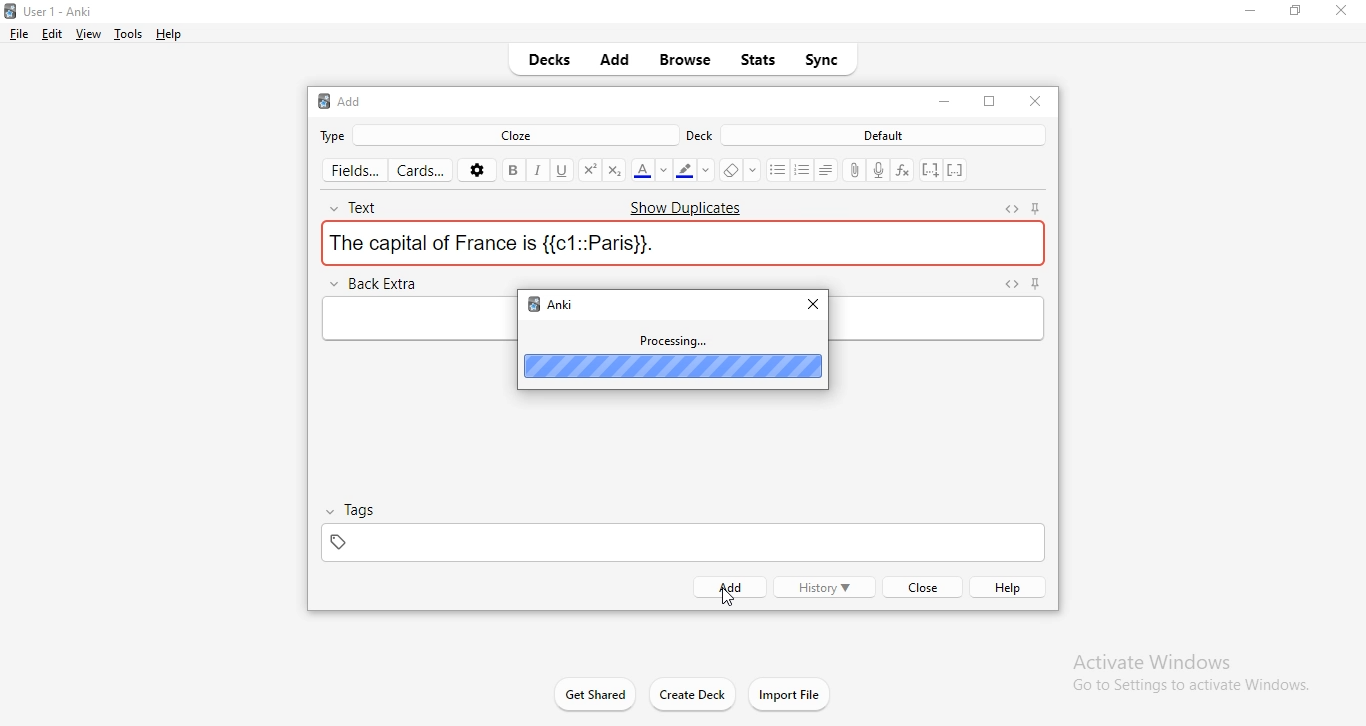  Describe the element at coordinates (1009, 284) in the screenshot. I see `expand` at that location.